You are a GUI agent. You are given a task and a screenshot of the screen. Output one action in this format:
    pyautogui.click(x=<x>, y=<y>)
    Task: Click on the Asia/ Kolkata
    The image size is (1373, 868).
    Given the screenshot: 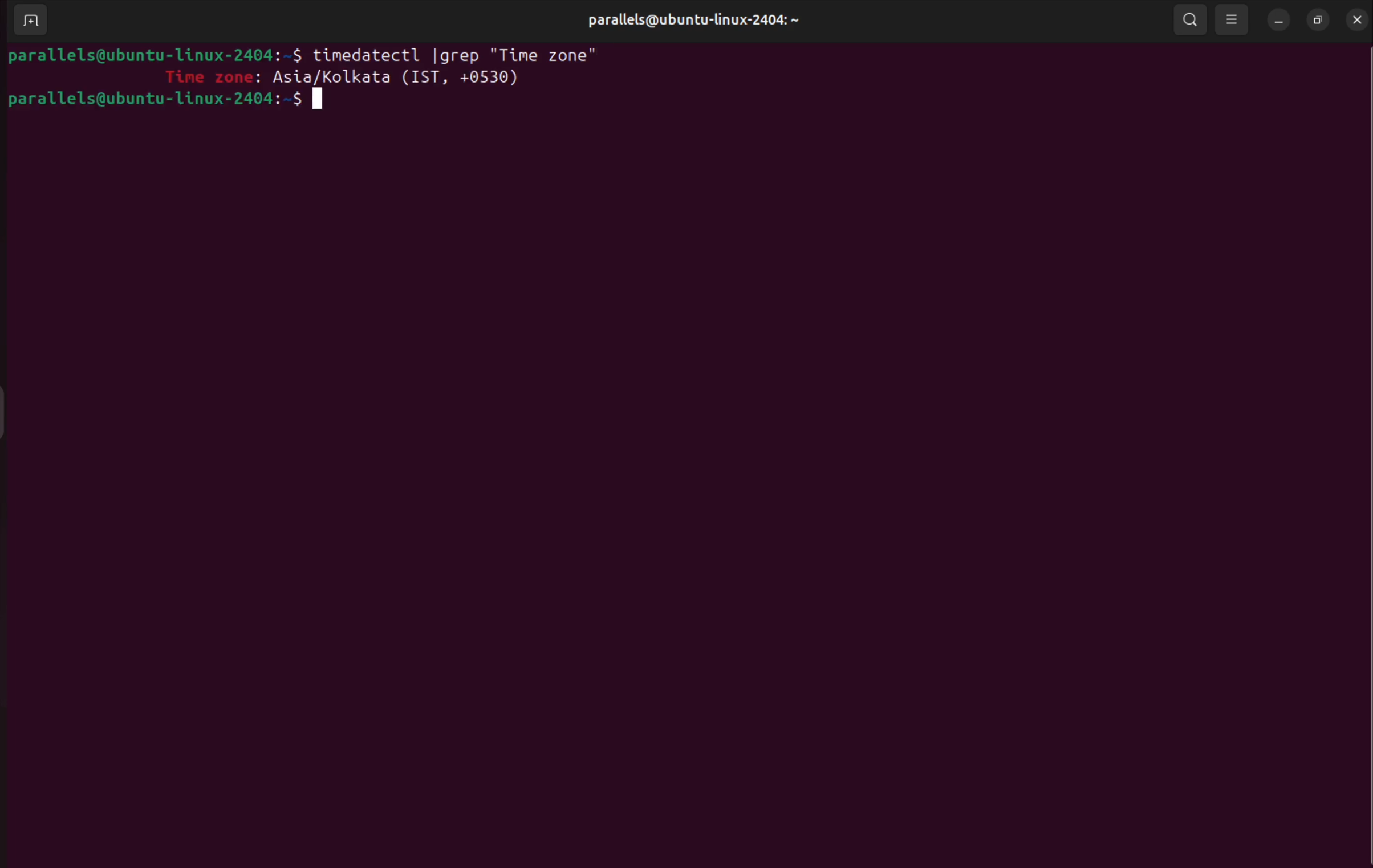 What is the action you would take?
    pyautogui.click(x=336, y=78)
    